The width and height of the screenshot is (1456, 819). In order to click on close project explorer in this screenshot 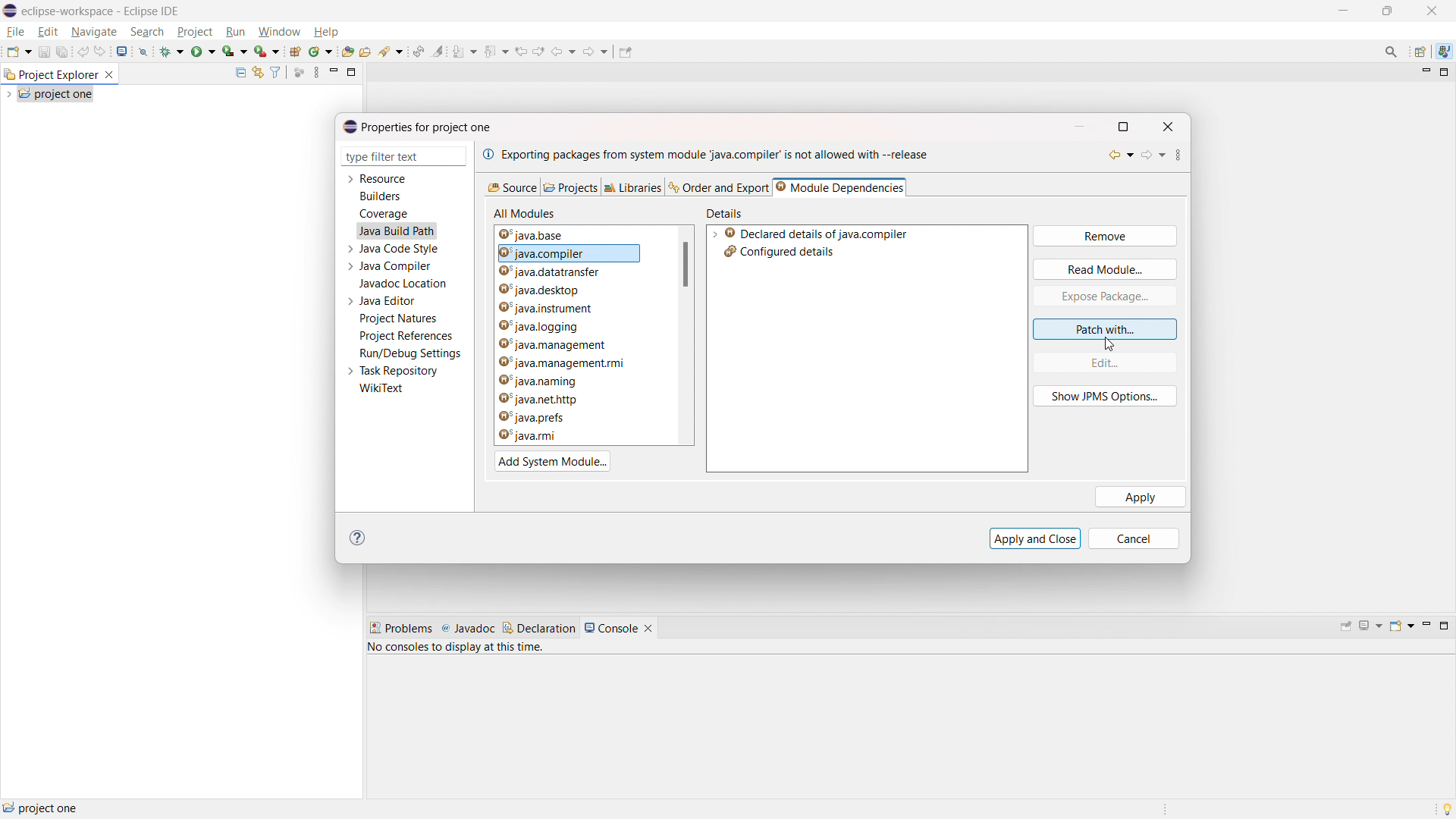, I will do `click(109, 75)`.